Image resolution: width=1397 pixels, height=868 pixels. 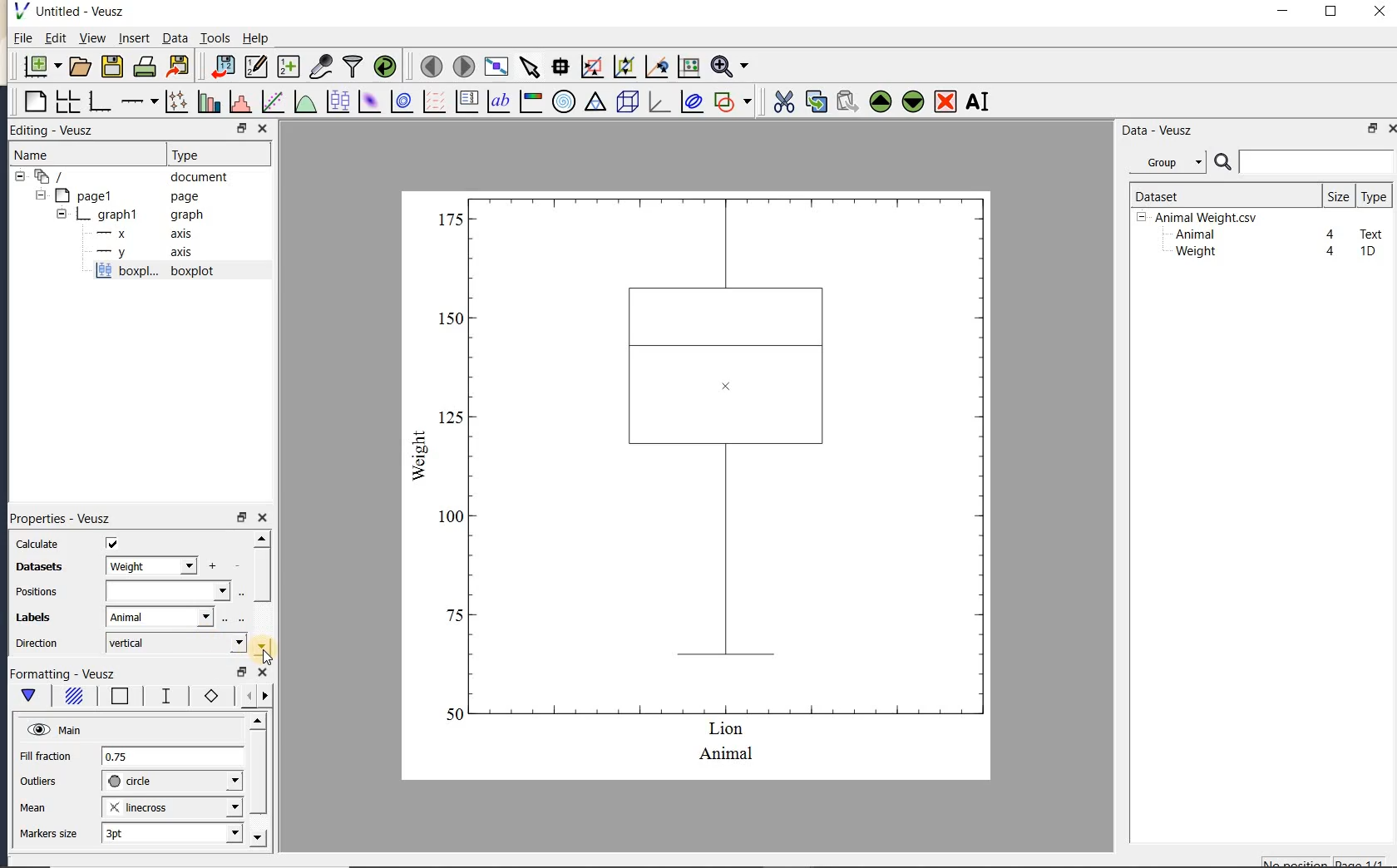 What do you see at coordinates (263, 673) in the screenshot?
I see `close` at bounding box center [263, 673].